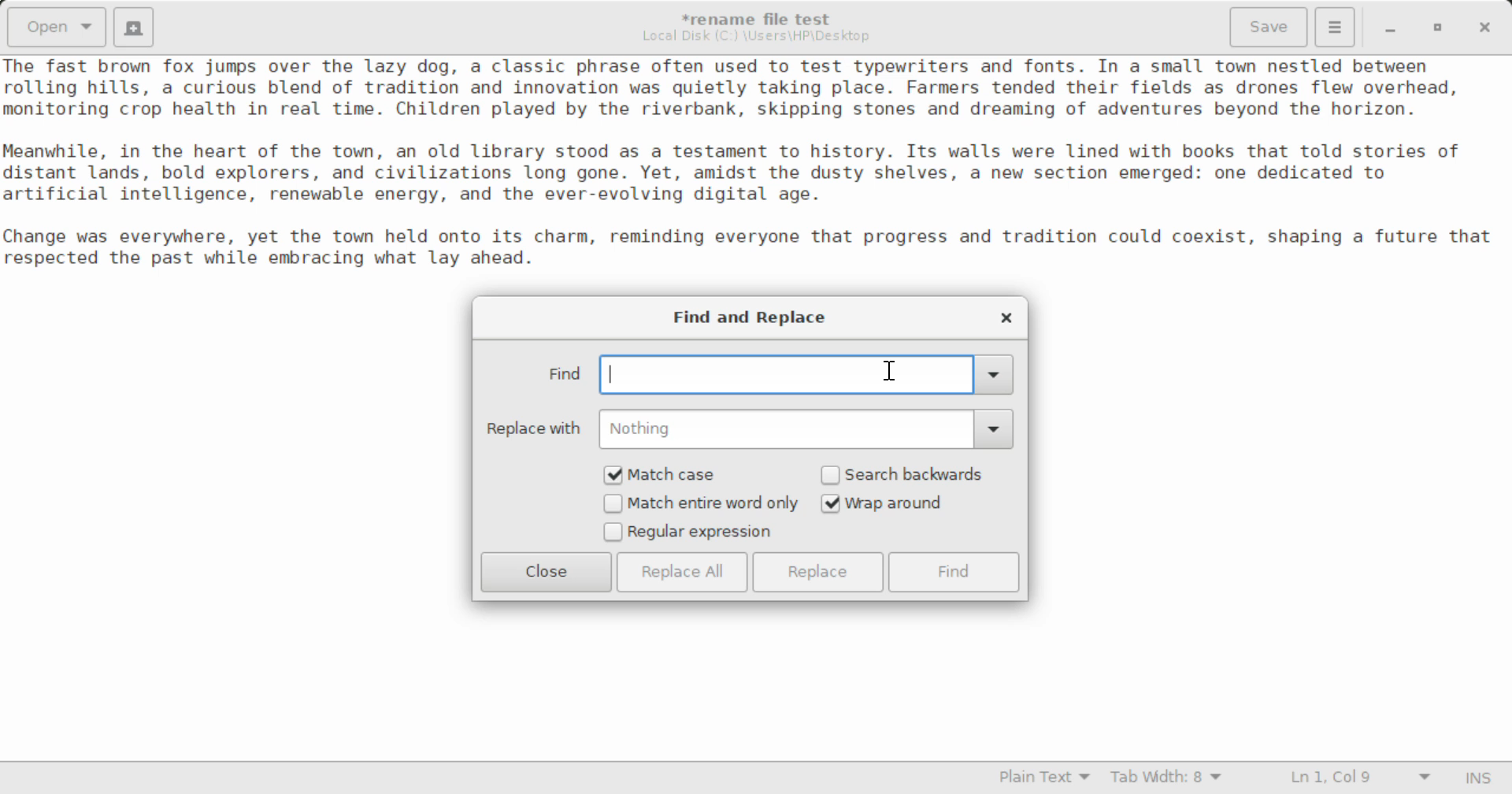 The image size is (1512, 794). What do you see at coordinates (955, 572) in the screenshot?
I see `Find` at bounding box center [955, 572].